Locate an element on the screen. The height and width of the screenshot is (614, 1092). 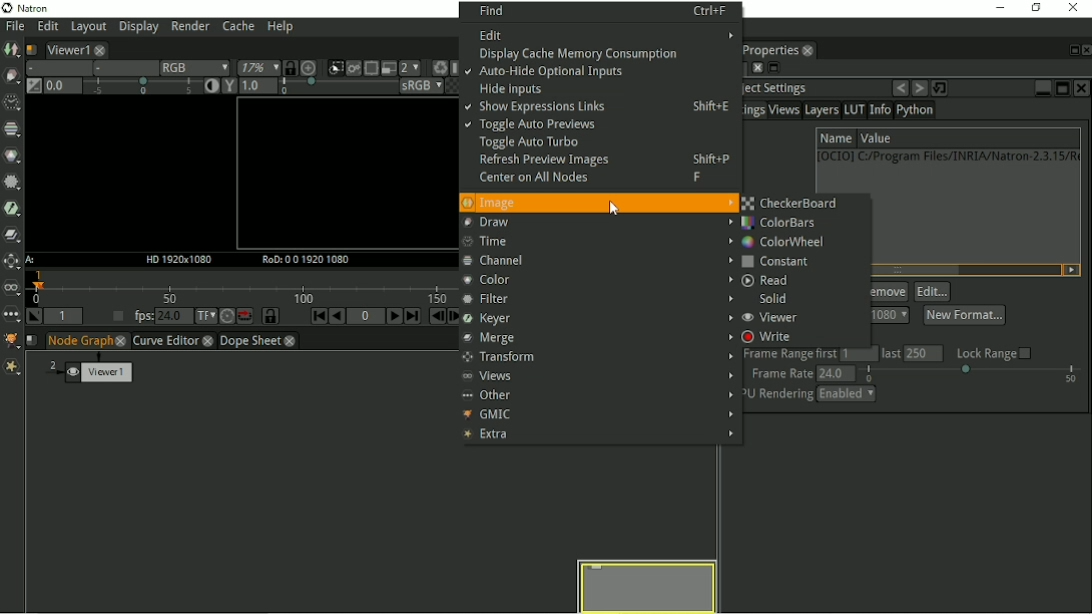
Extra is located at coordinates (598, 435).